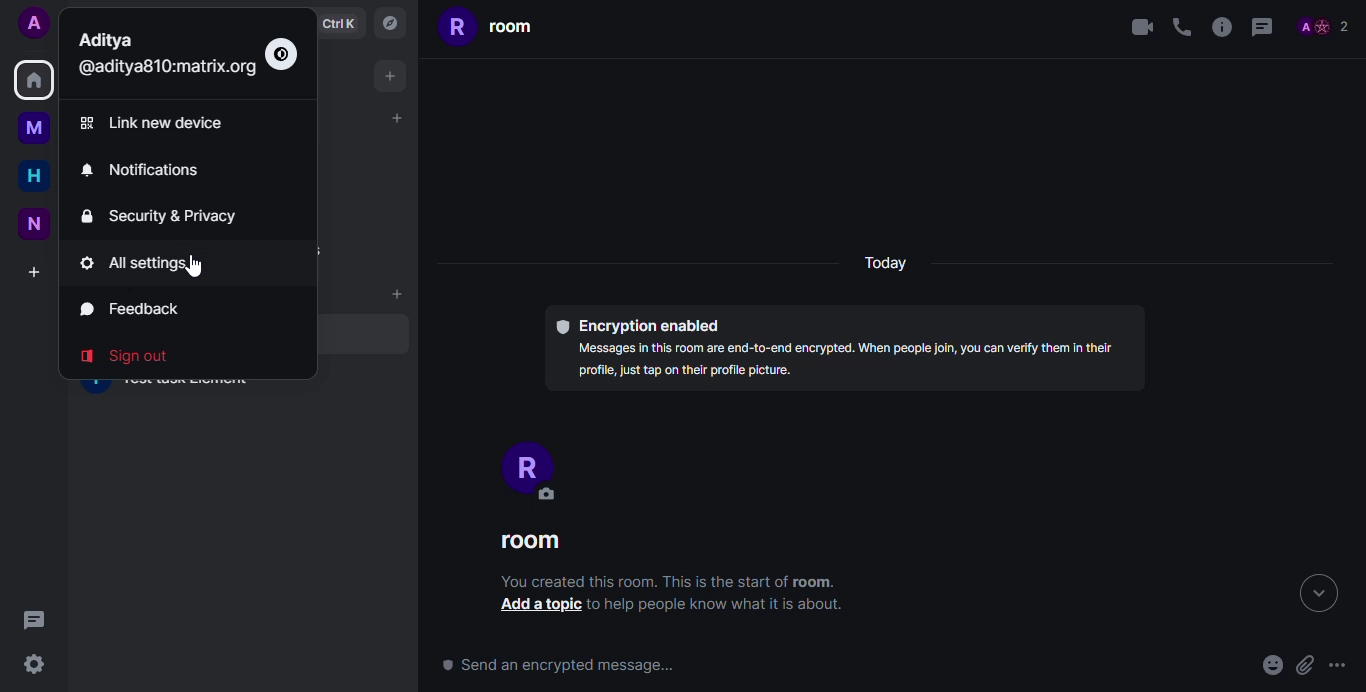 Image resolution: width=1366 pixels, height=692 pixels. I want to click on add, so click(393, 117).